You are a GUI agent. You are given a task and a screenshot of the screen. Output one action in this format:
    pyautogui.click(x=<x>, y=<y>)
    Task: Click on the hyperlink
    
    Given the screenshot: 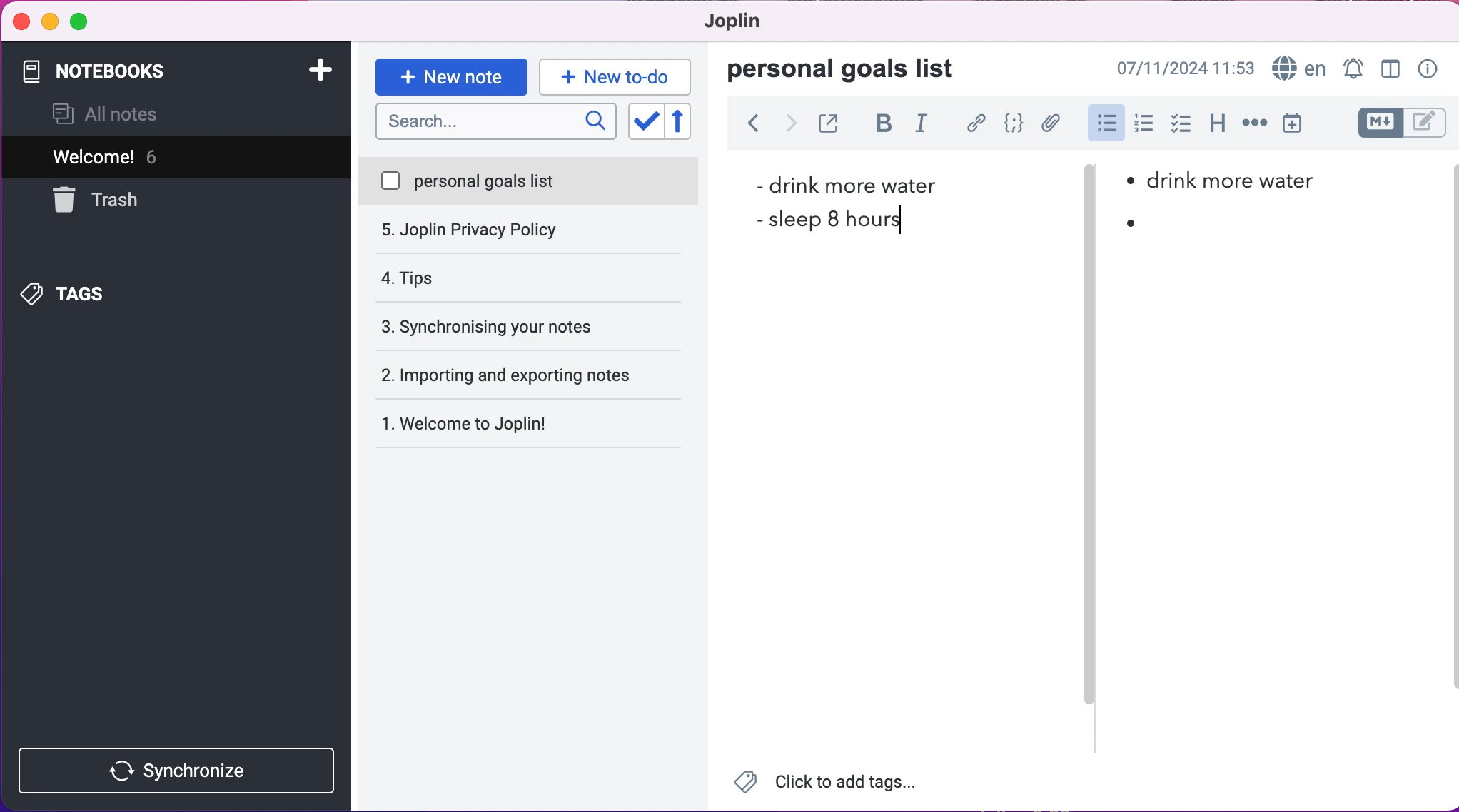 What is the action you would take?
    pyautogui.click(x=976, y=123)
    